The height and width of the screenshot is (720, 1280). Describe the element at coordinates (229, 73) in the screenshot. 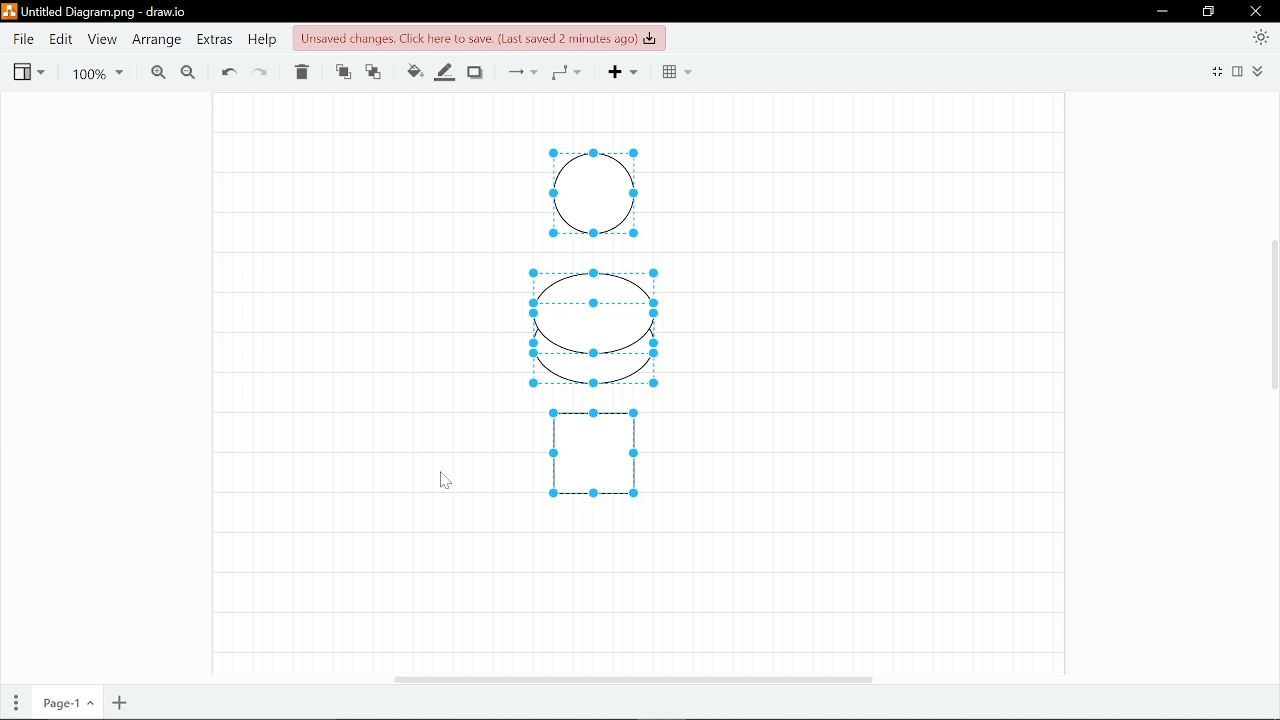

I see `Undo` at that location.